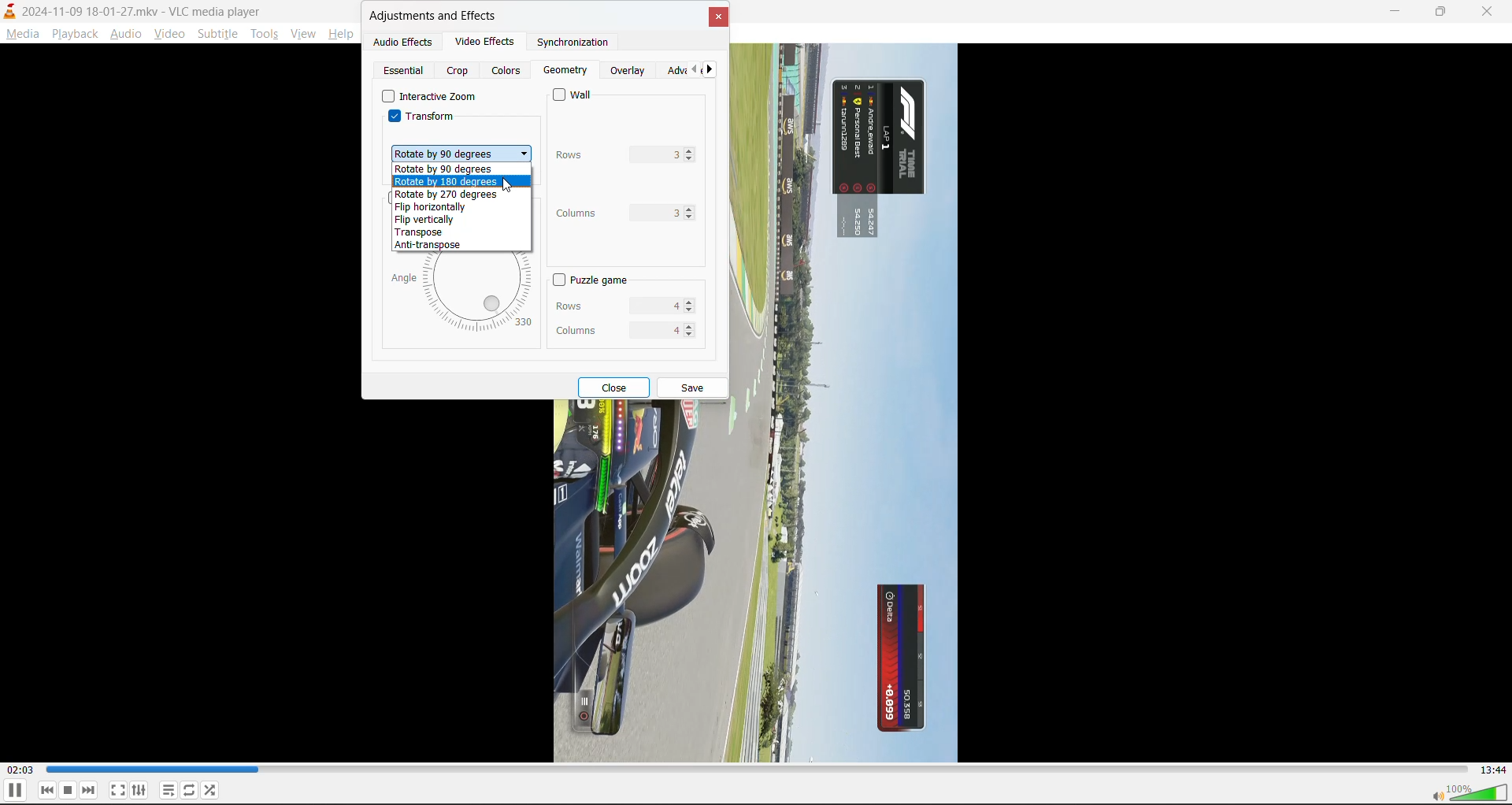 This screenshot has height=805, width=1512. What do you see at coordinates (449, 195) in the screenshot?
I see `rotate 270 degrees` at bounding box center [449, 195].